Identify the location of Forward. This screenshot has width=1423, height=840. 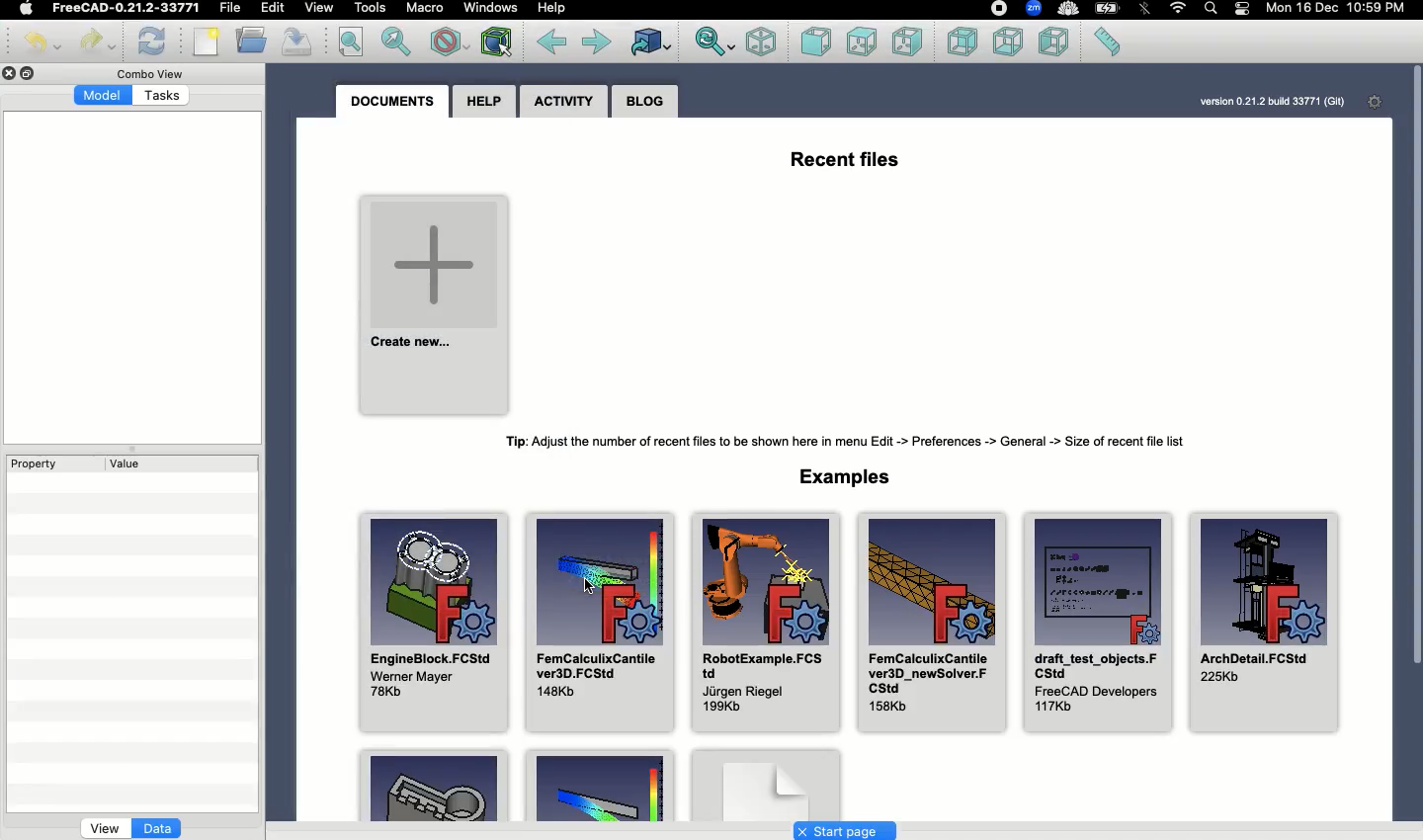
(598, 42).